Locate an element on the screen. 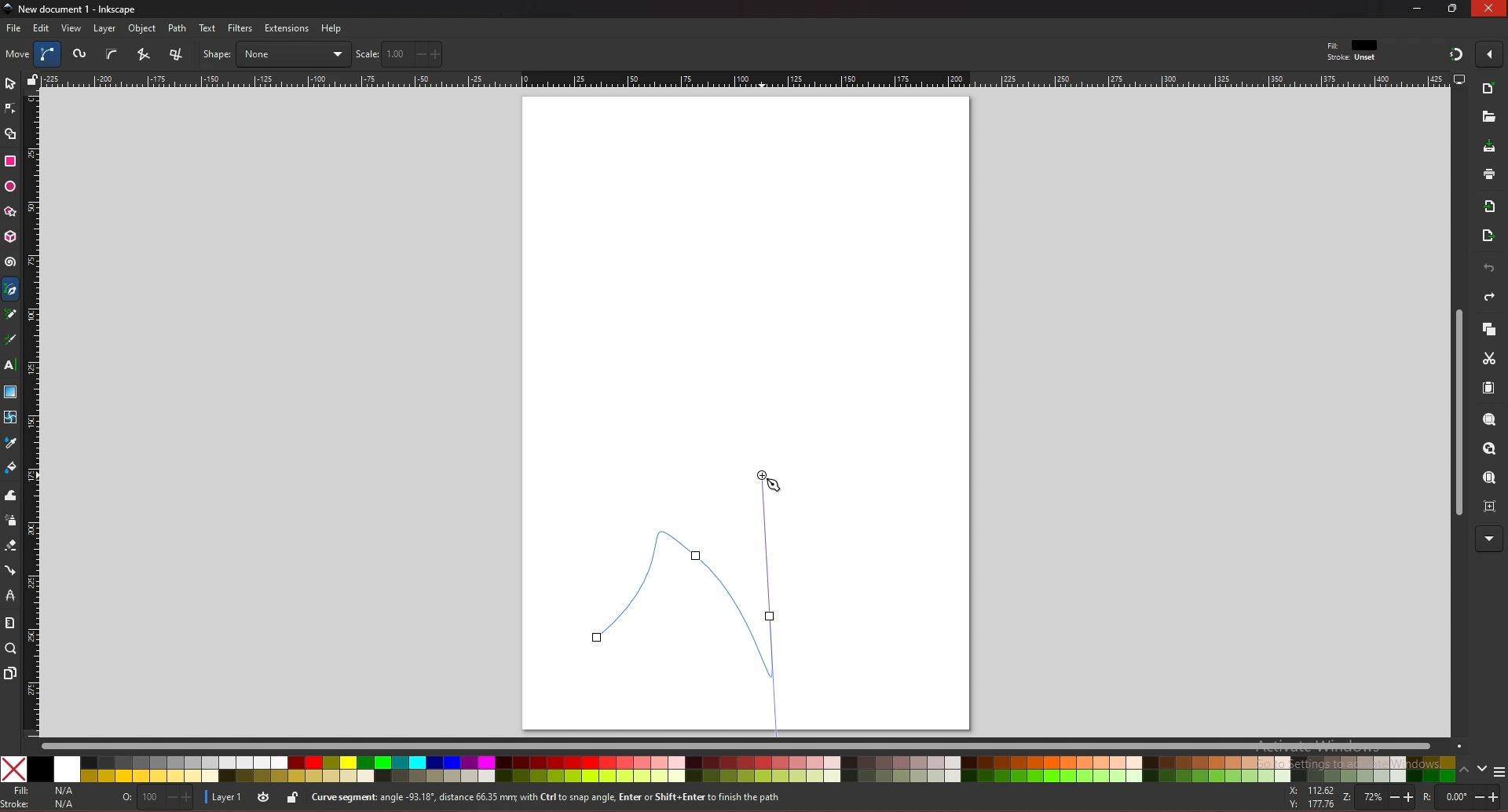  view is located at coordinates (72, 28).